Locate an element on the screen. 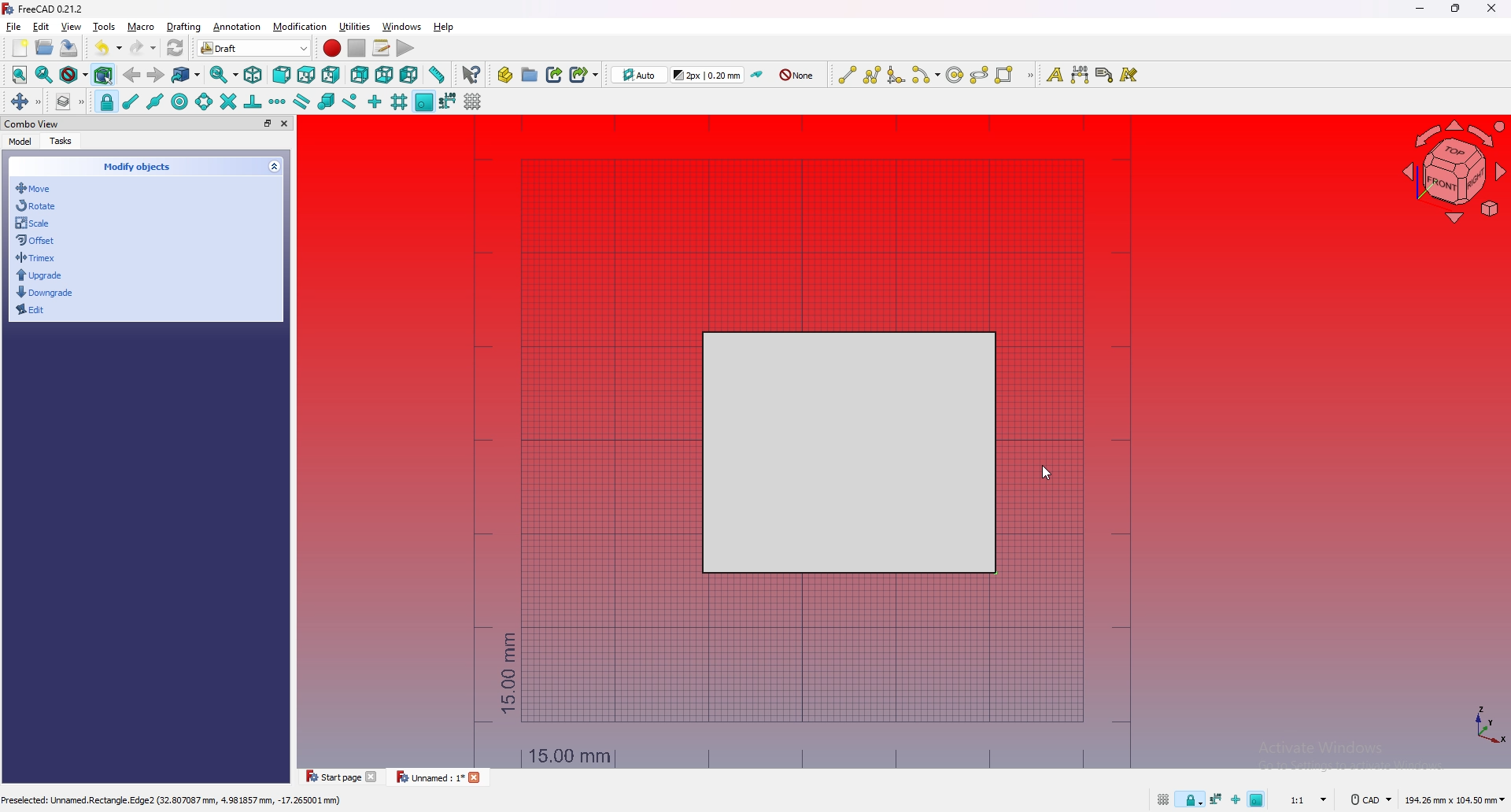 This screenshot has height=812, width=1511. Preselected: Unnamed.Rectangle.Edge2 (32.807087 mm, 4.981857 mm, -17.265001 mm) is located at coordinates (174, 800).